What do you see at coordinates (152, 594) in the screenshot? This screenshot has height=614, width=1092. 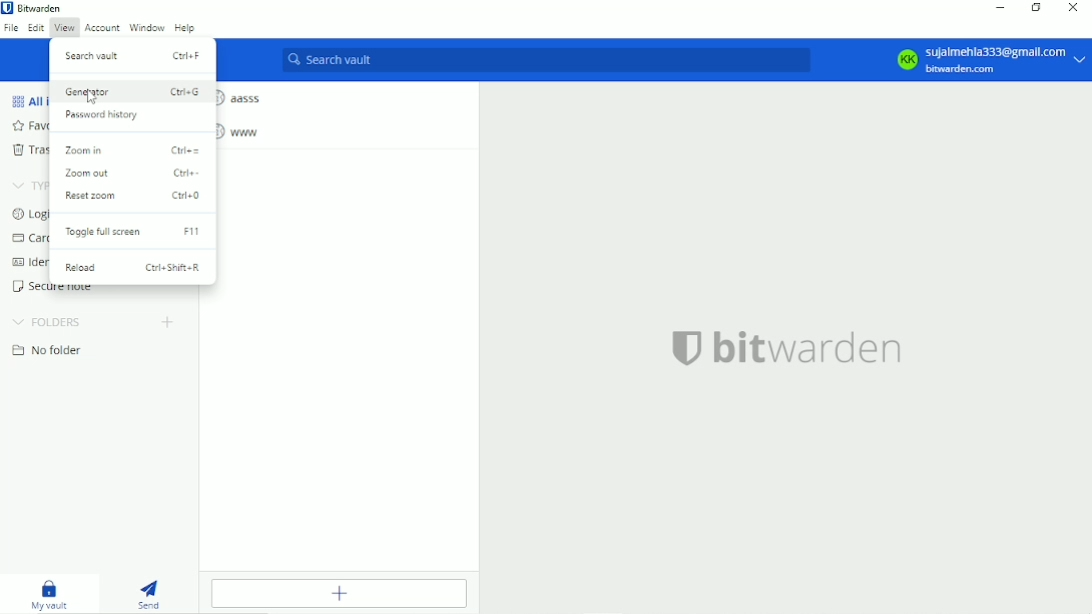 I see `Send` at bounding box center [152, 594].